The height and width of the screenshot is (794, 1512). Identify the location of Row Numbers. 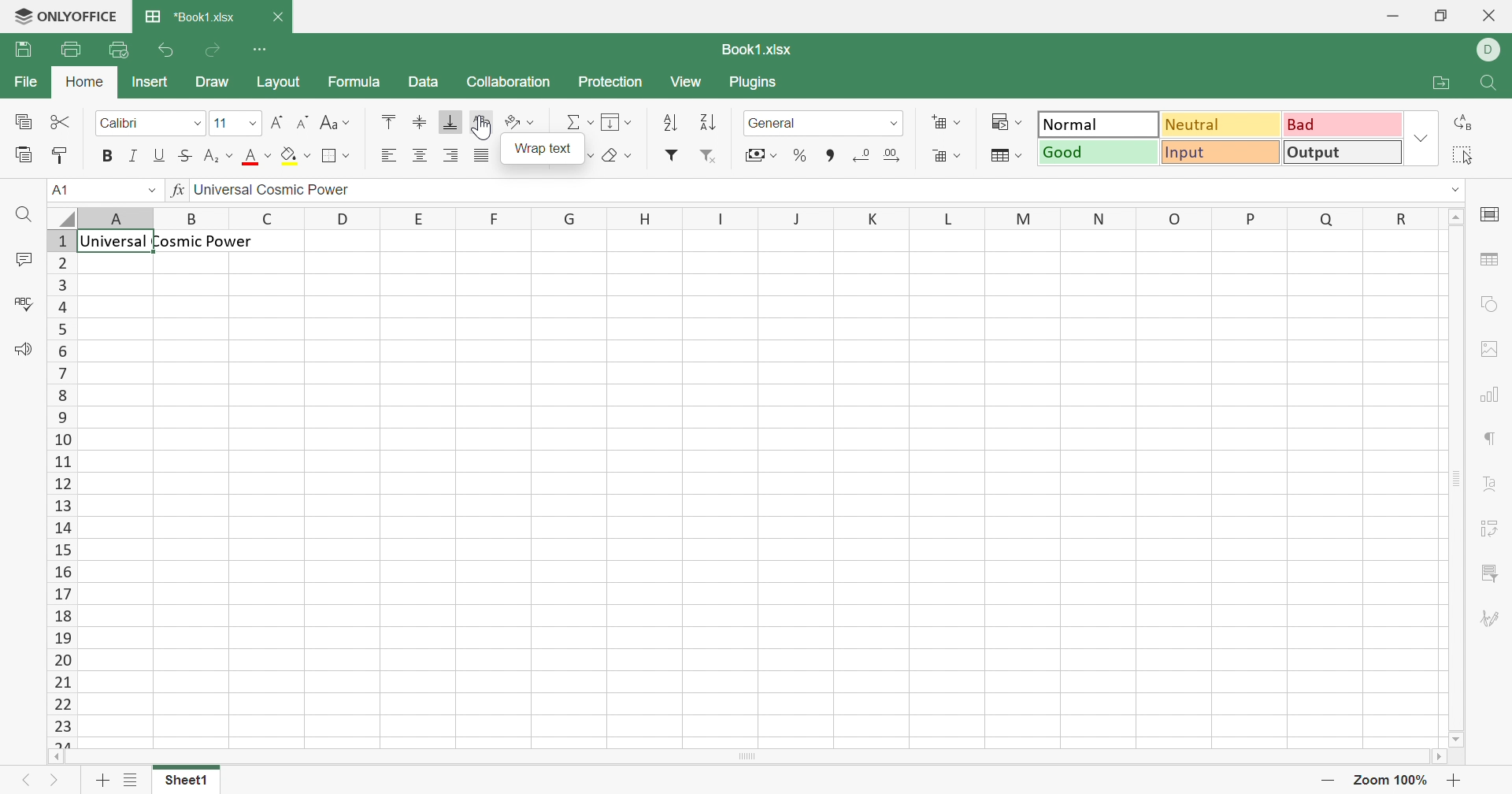
(61, 486).